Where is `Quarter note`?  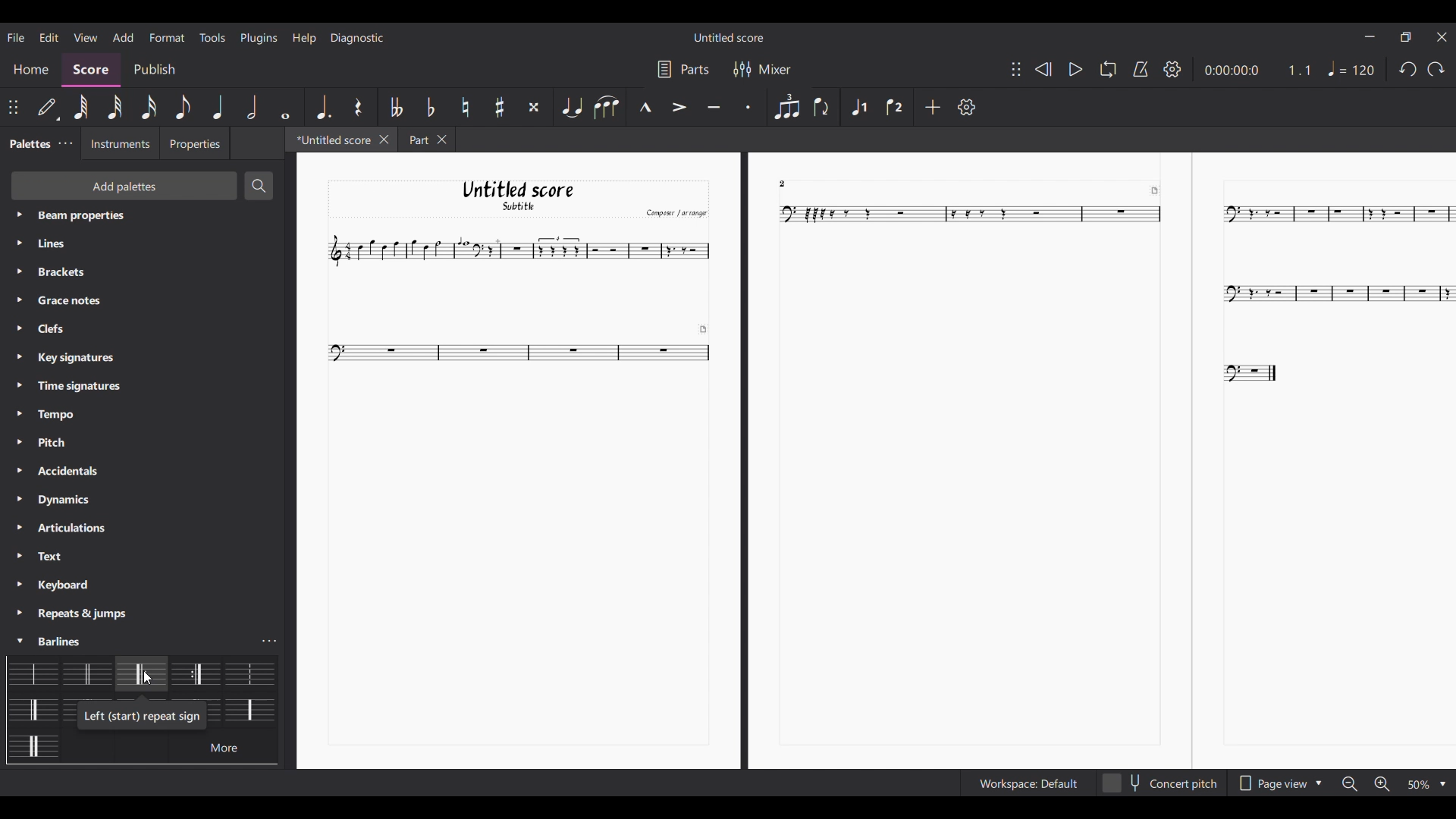 Quarter note is located at coordinates (218, 108).